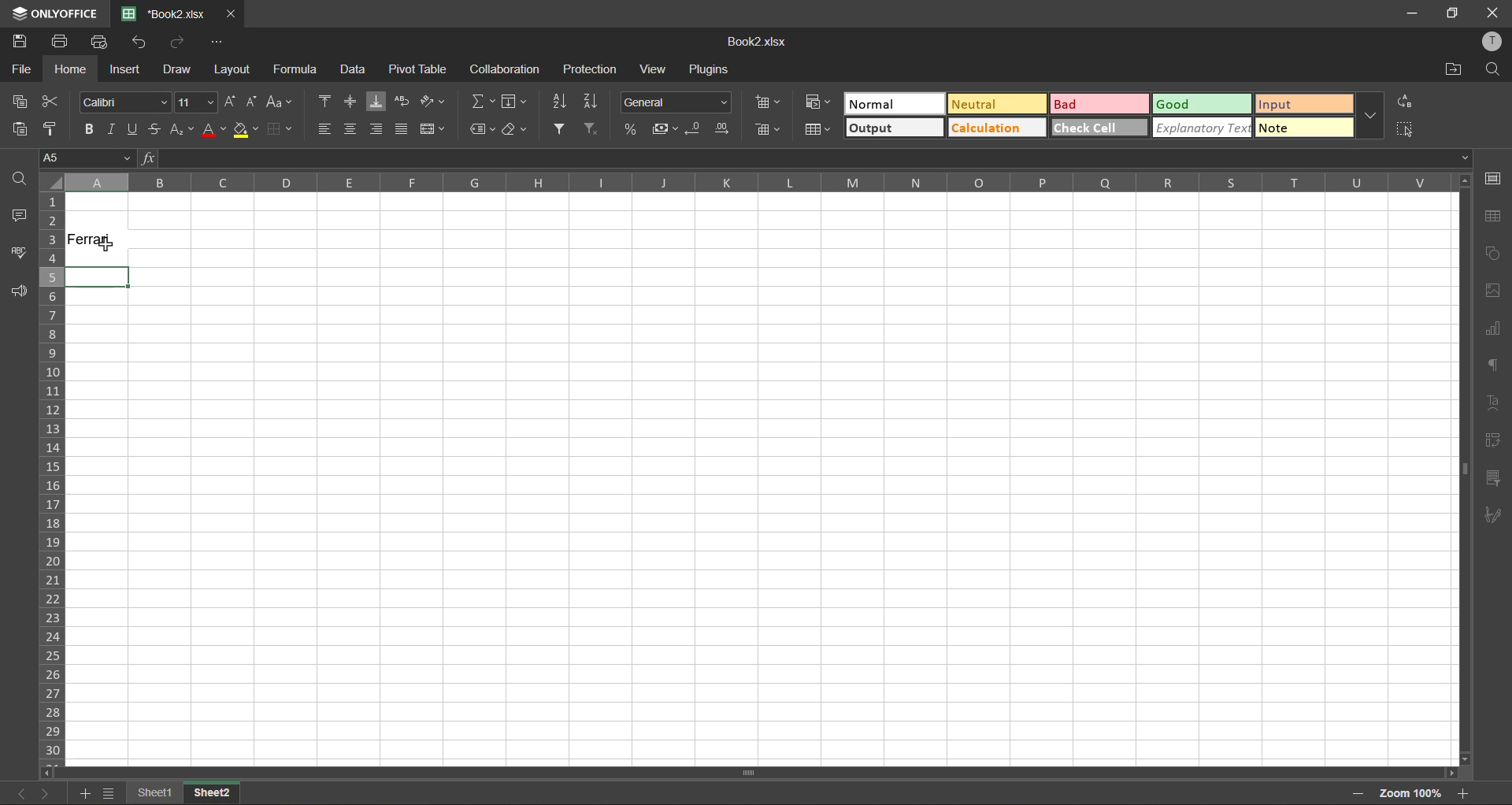 The image size is (1512, 805). Describe the element at coordinates (817, 130) in the screenshot. I see `format as table` at that location.